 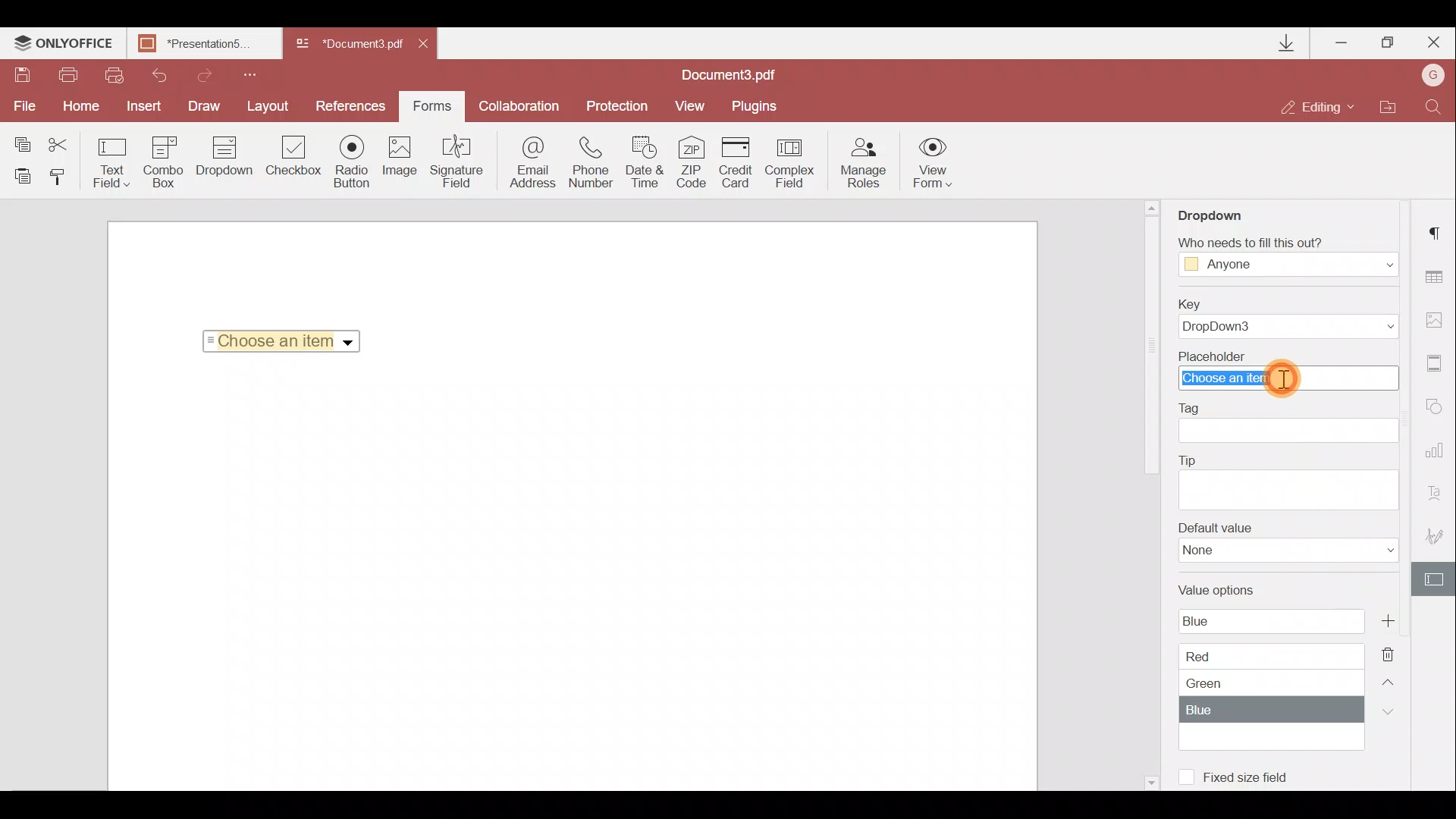 I want to click on Downloads, so click(x=1289, y=43).